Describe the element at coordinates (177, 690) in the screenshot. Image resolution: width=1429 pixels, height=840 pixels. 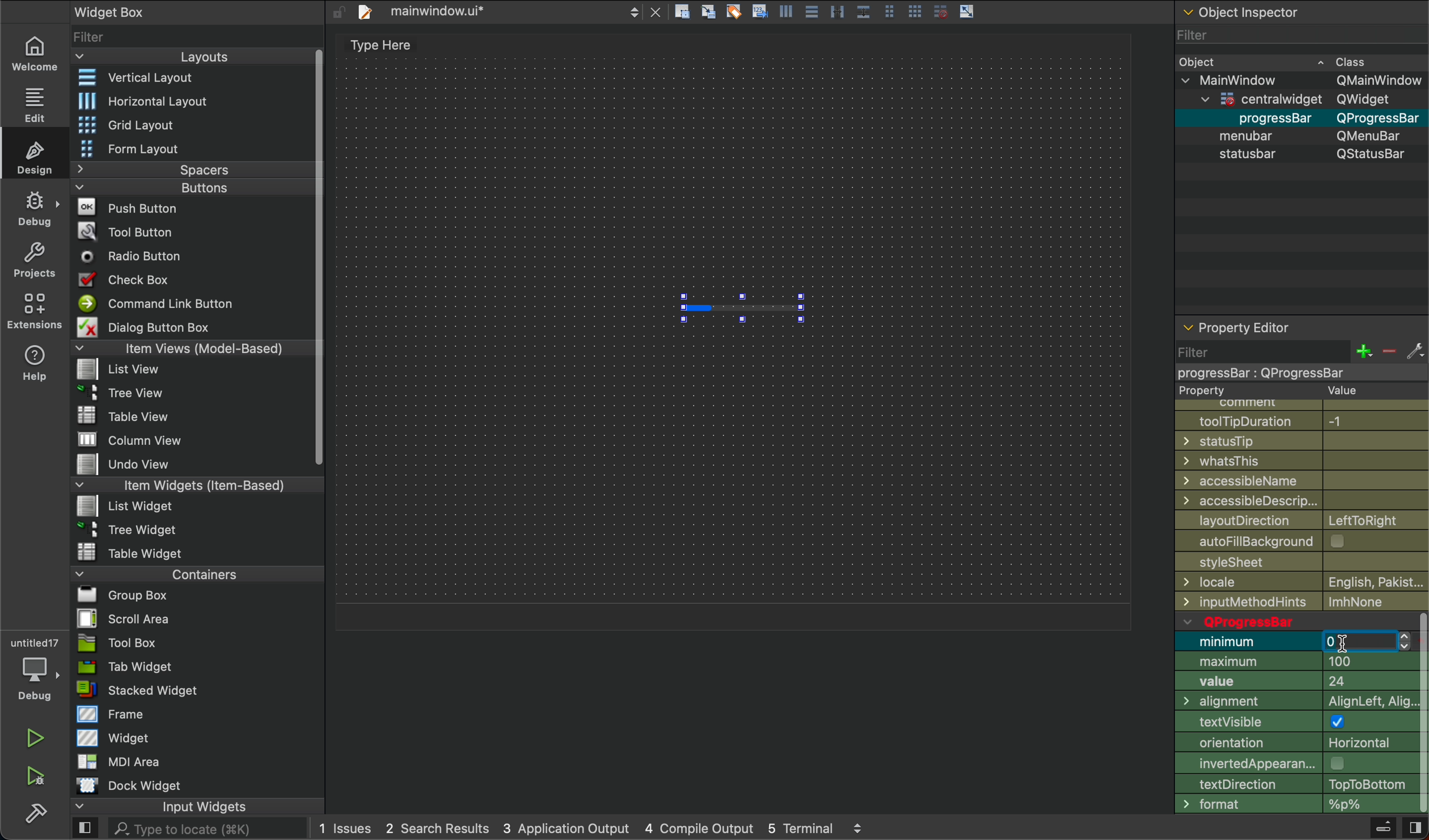
I see `Stack Widget` at that location.